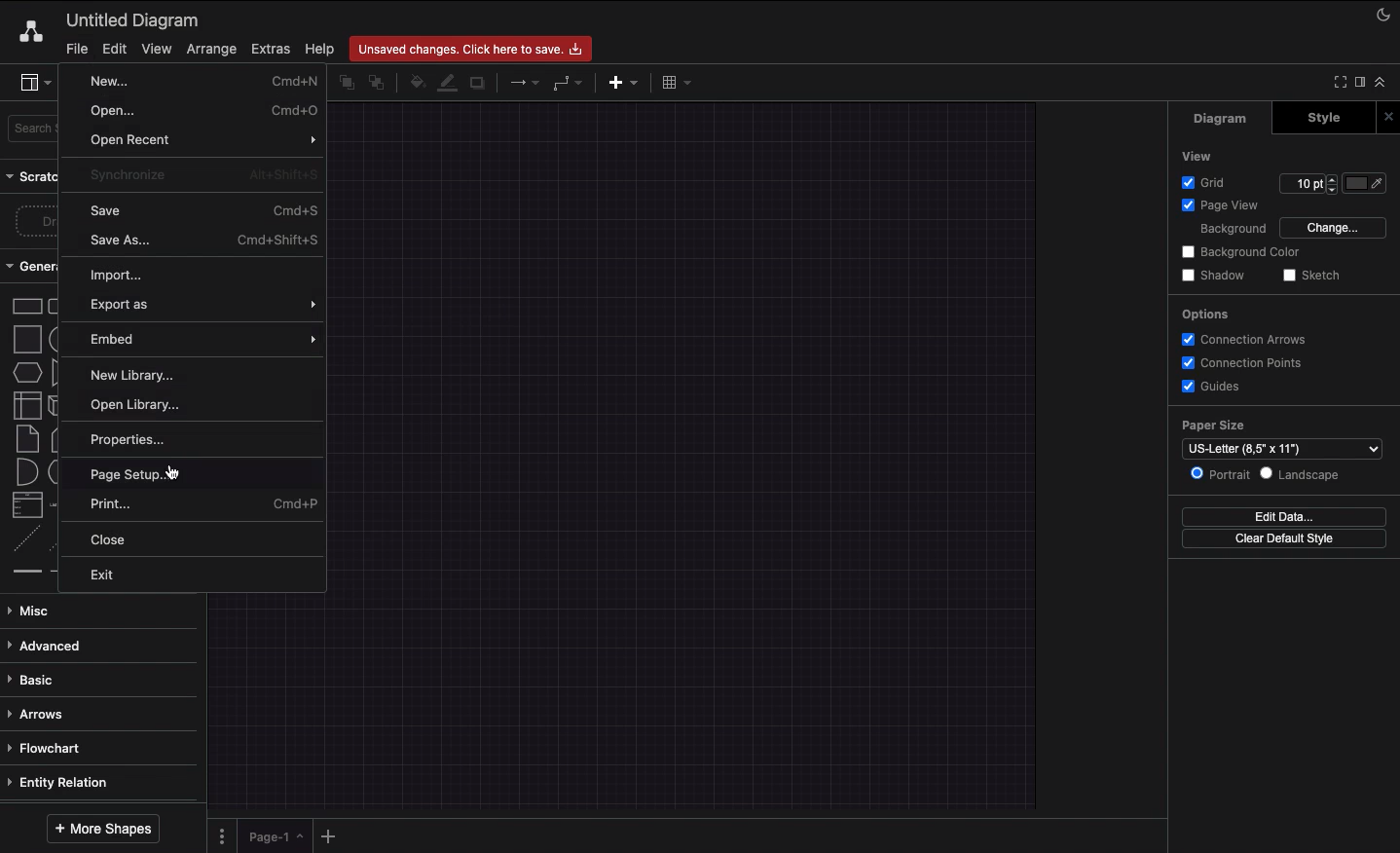  I want to click on Open library, so click(136, 404).